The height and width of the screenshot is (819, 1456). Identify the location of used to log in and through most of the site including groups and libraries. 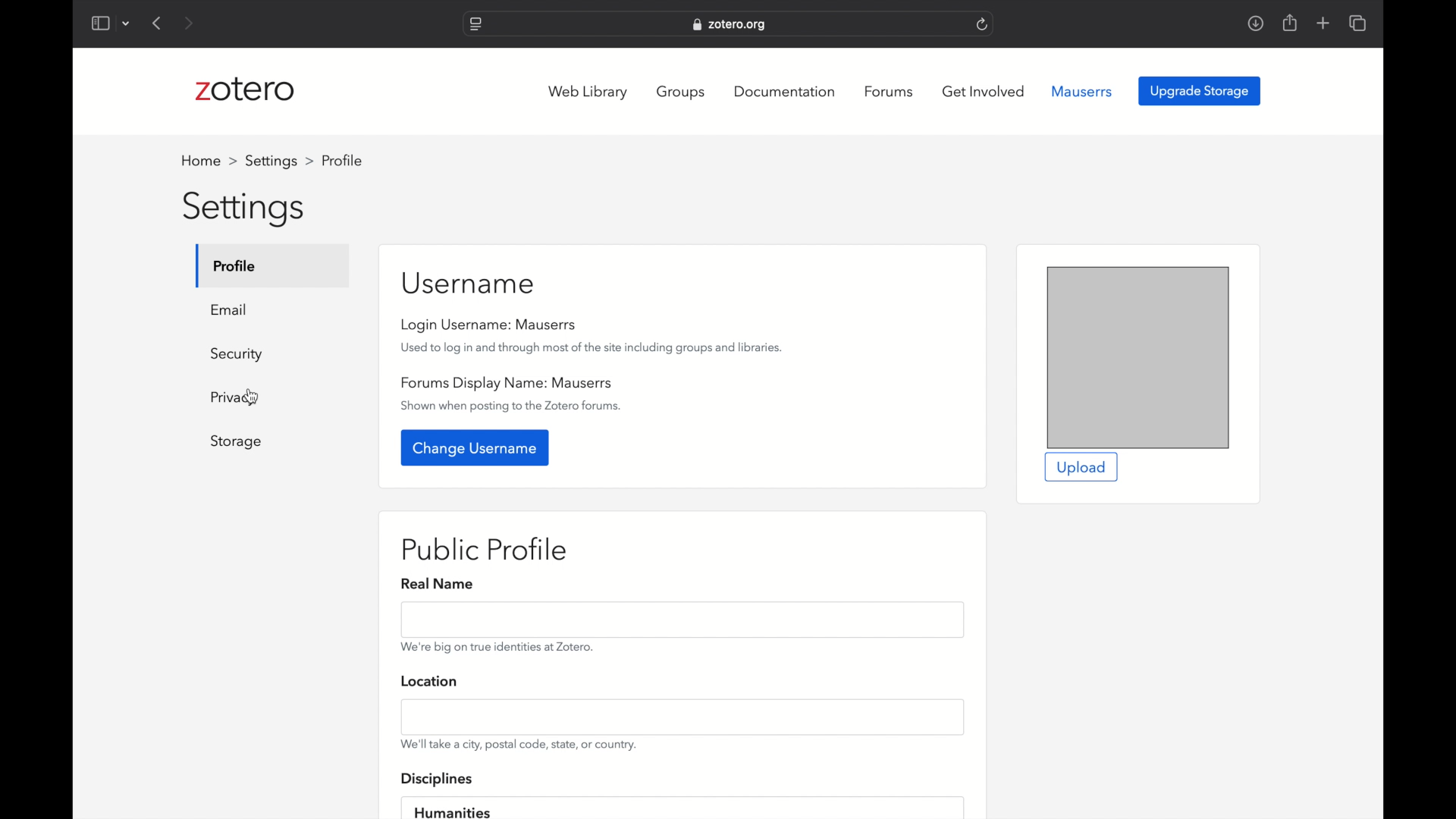
(591, 348).